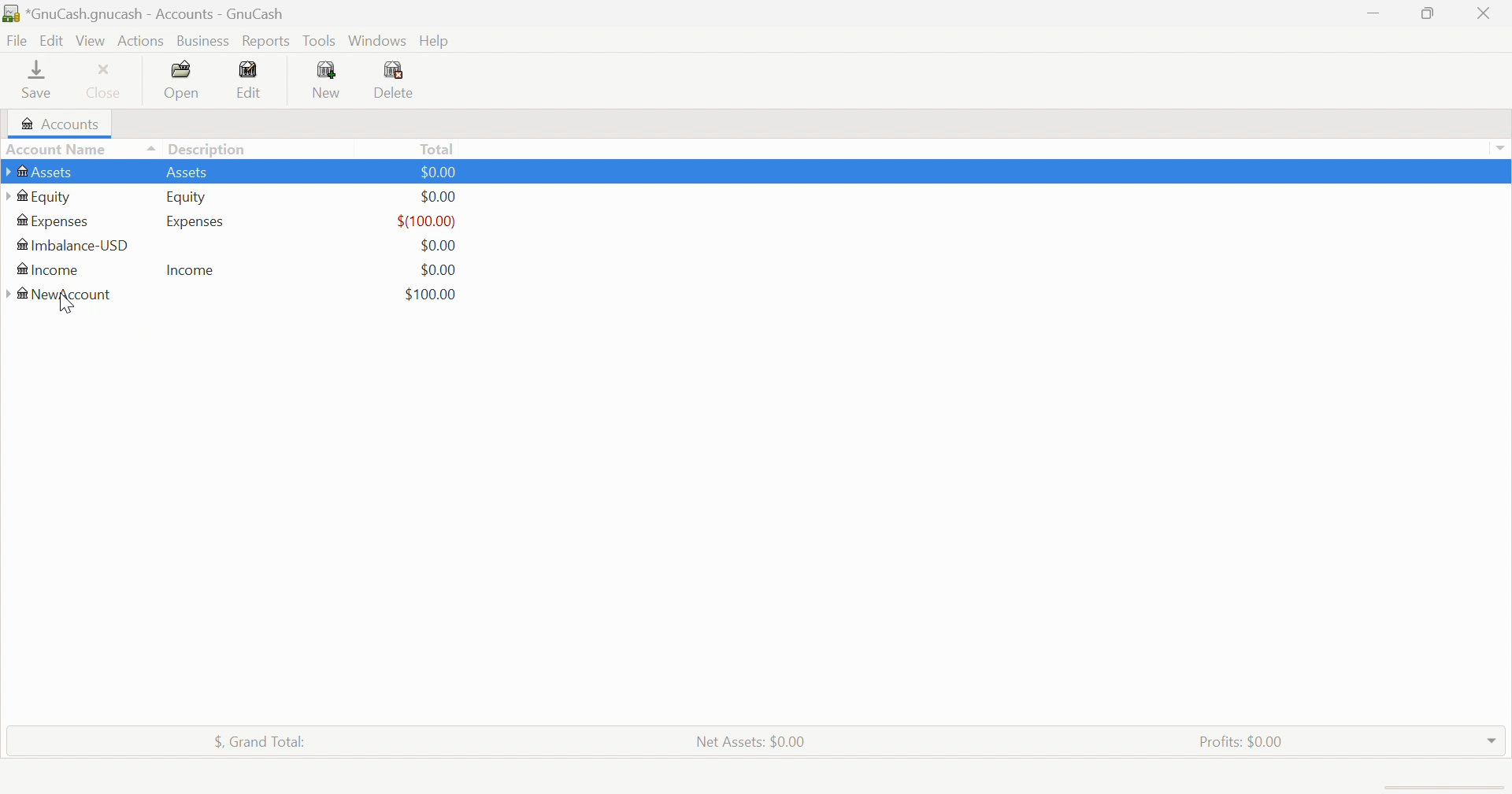  Describe the element at coordinates (437, 197) in the screenshot. I see `$0.00` at that location.